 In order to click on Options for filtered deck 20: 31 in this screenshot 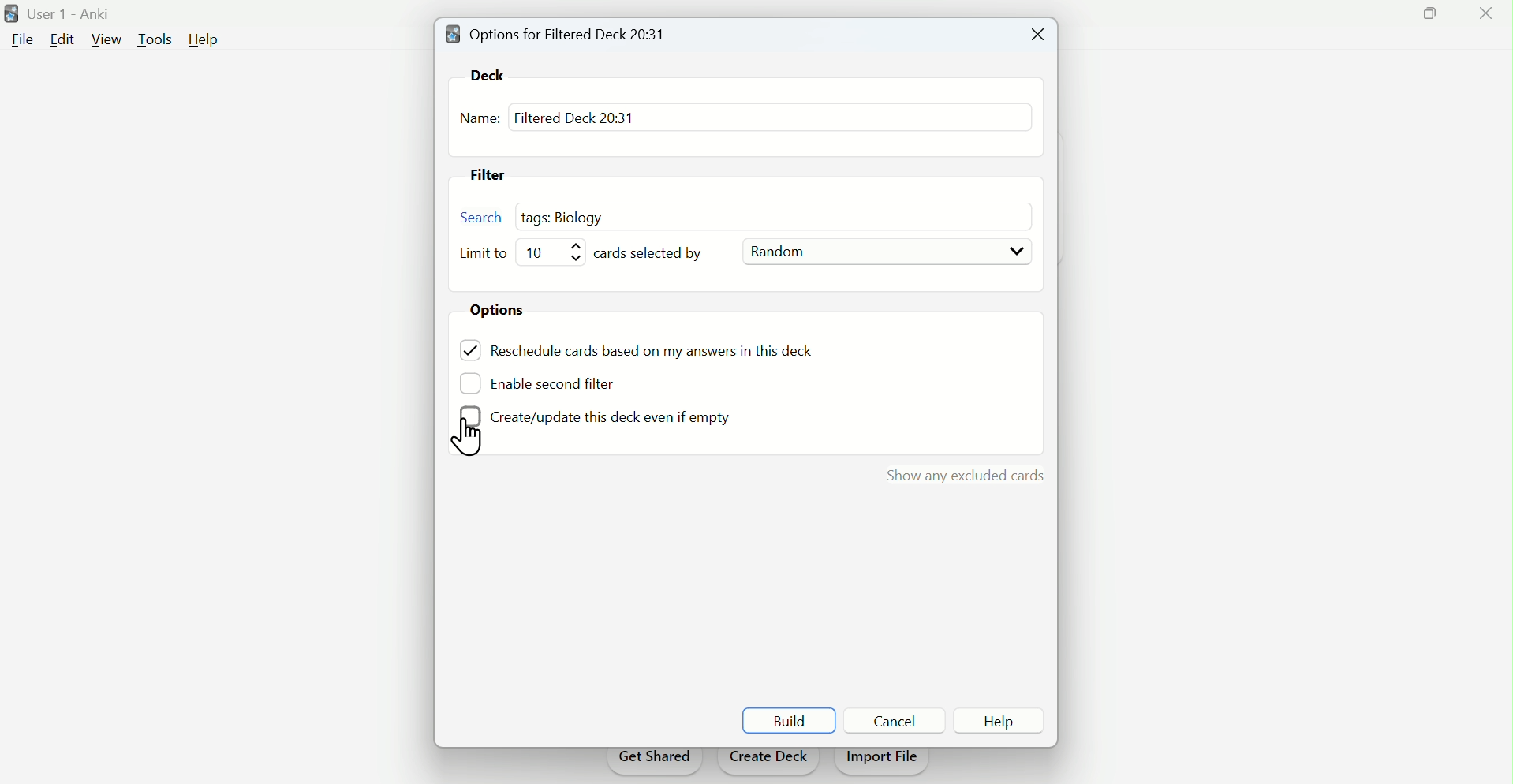, I will do `click(561, 33)`.